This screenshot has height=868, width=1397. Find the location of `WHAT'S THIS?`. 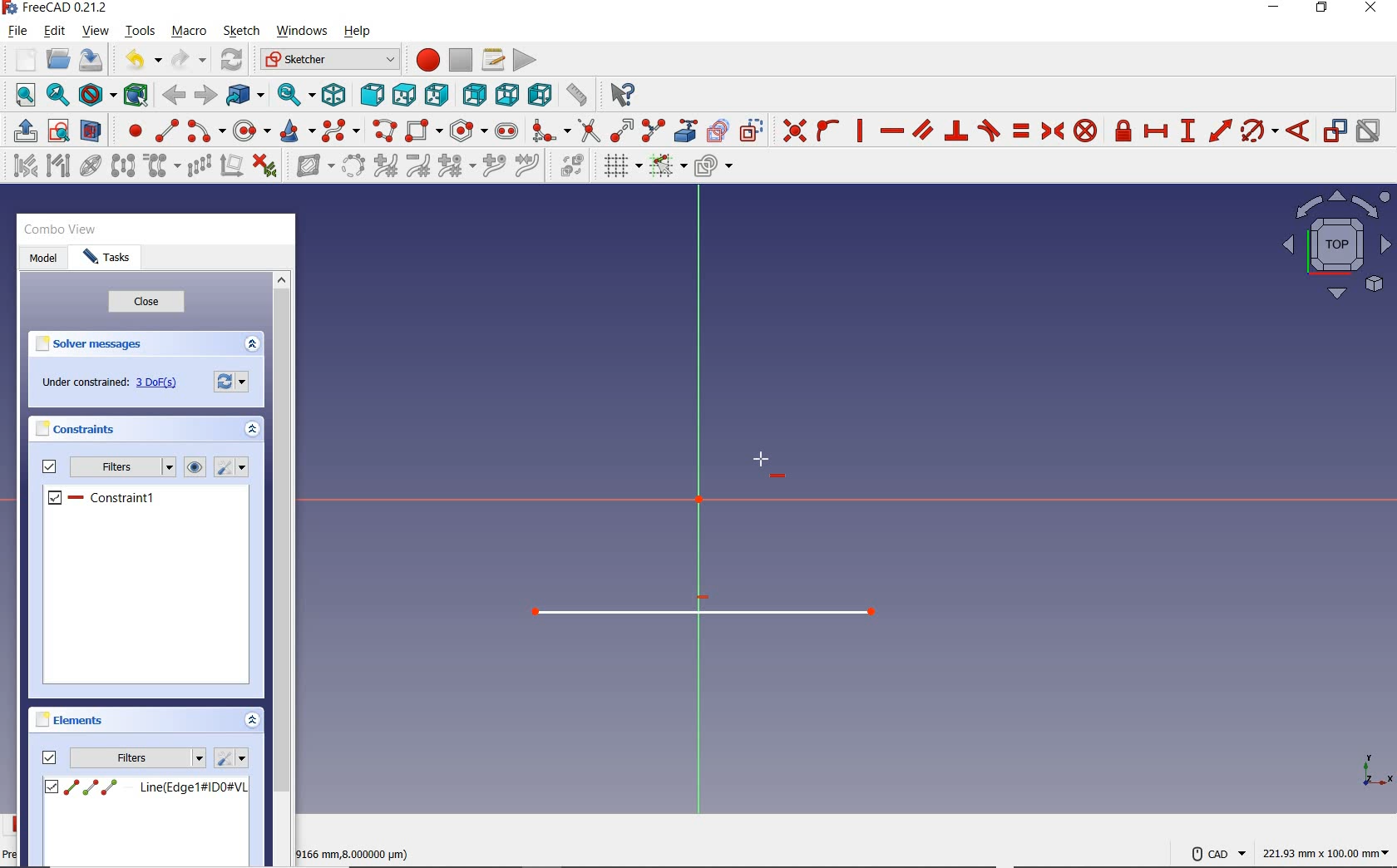

WHAT'S THIS? is located at coordinates (624, 96).